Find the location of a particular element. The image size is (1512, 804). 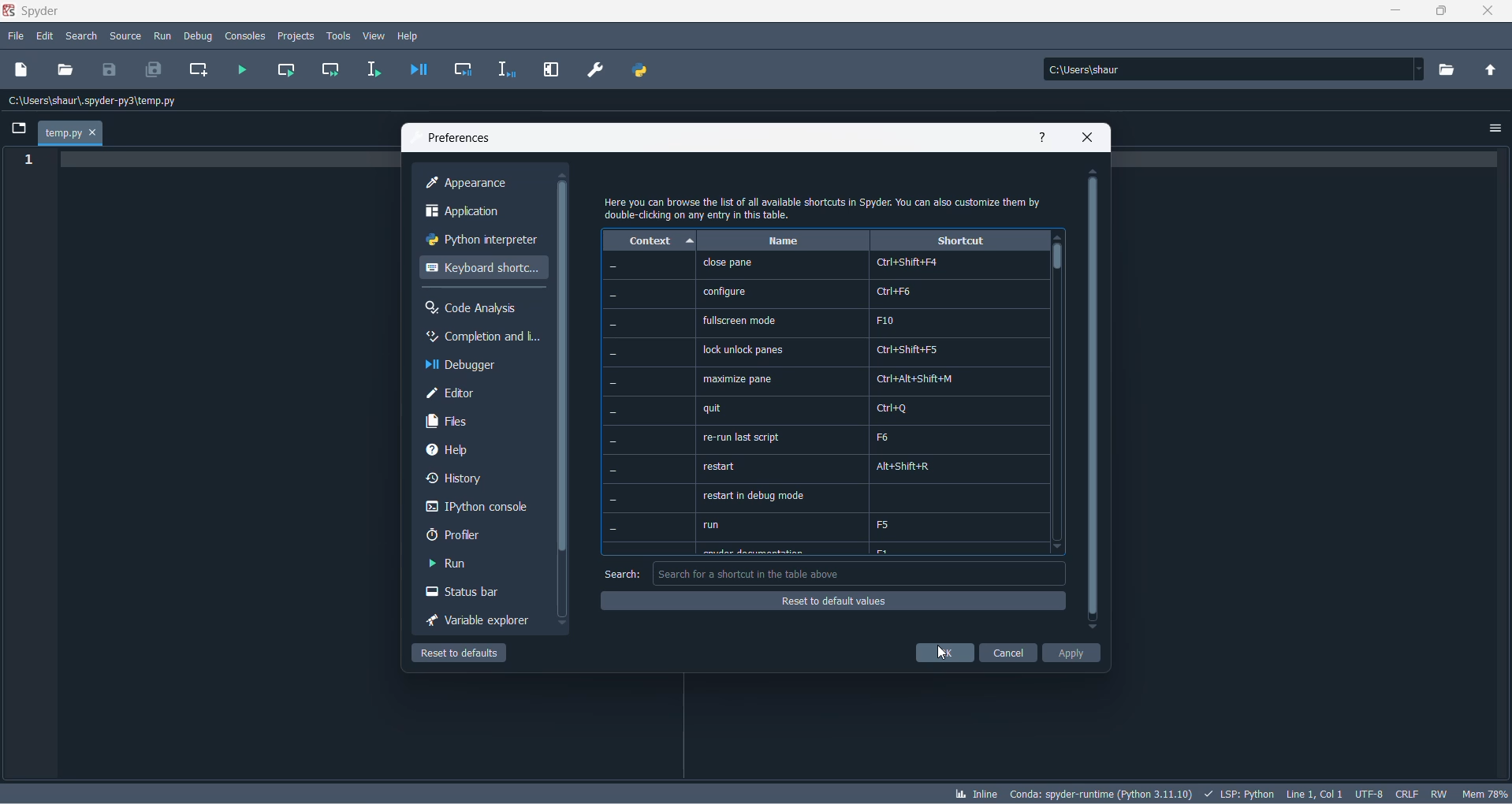

Ctrl+Alt+Shift+M is located at coordinates (915, 379).